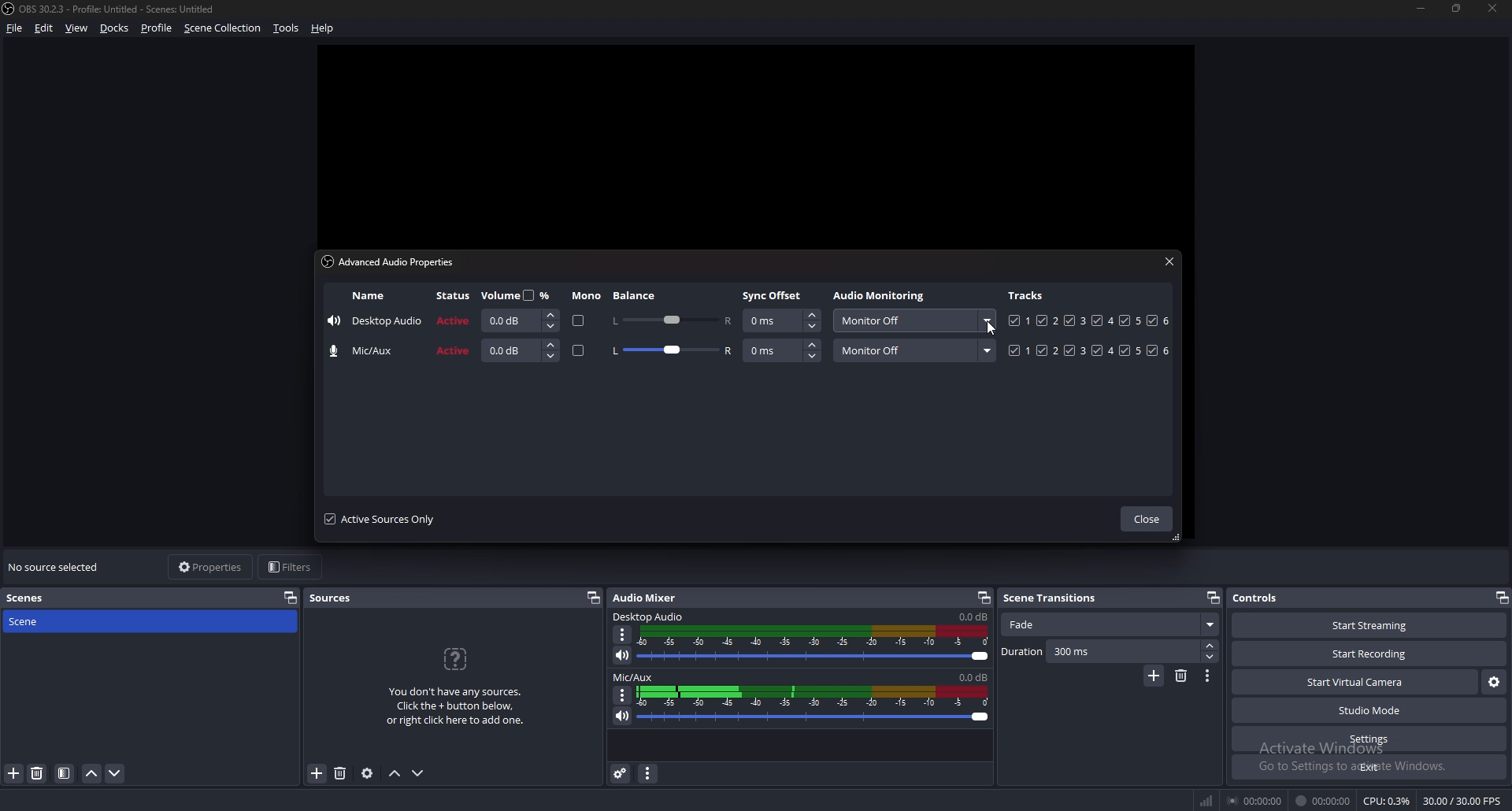 Image resolution: width=1512 pixels, height=811 pixels. I want to click on add source, so click(316, 774).